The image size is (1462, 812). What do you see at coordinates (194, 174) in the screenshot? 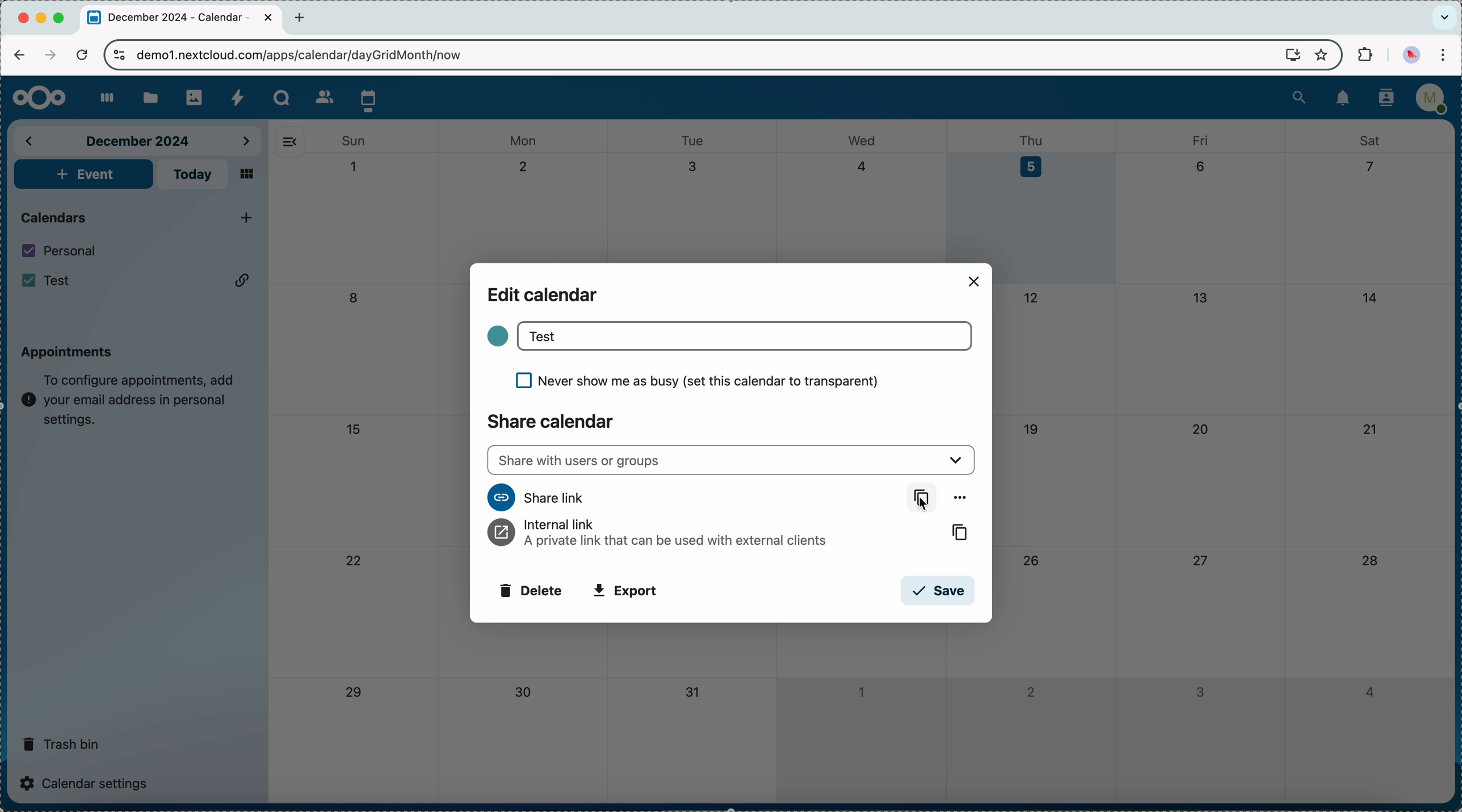
I see `today` at bounding box center [194, 174].